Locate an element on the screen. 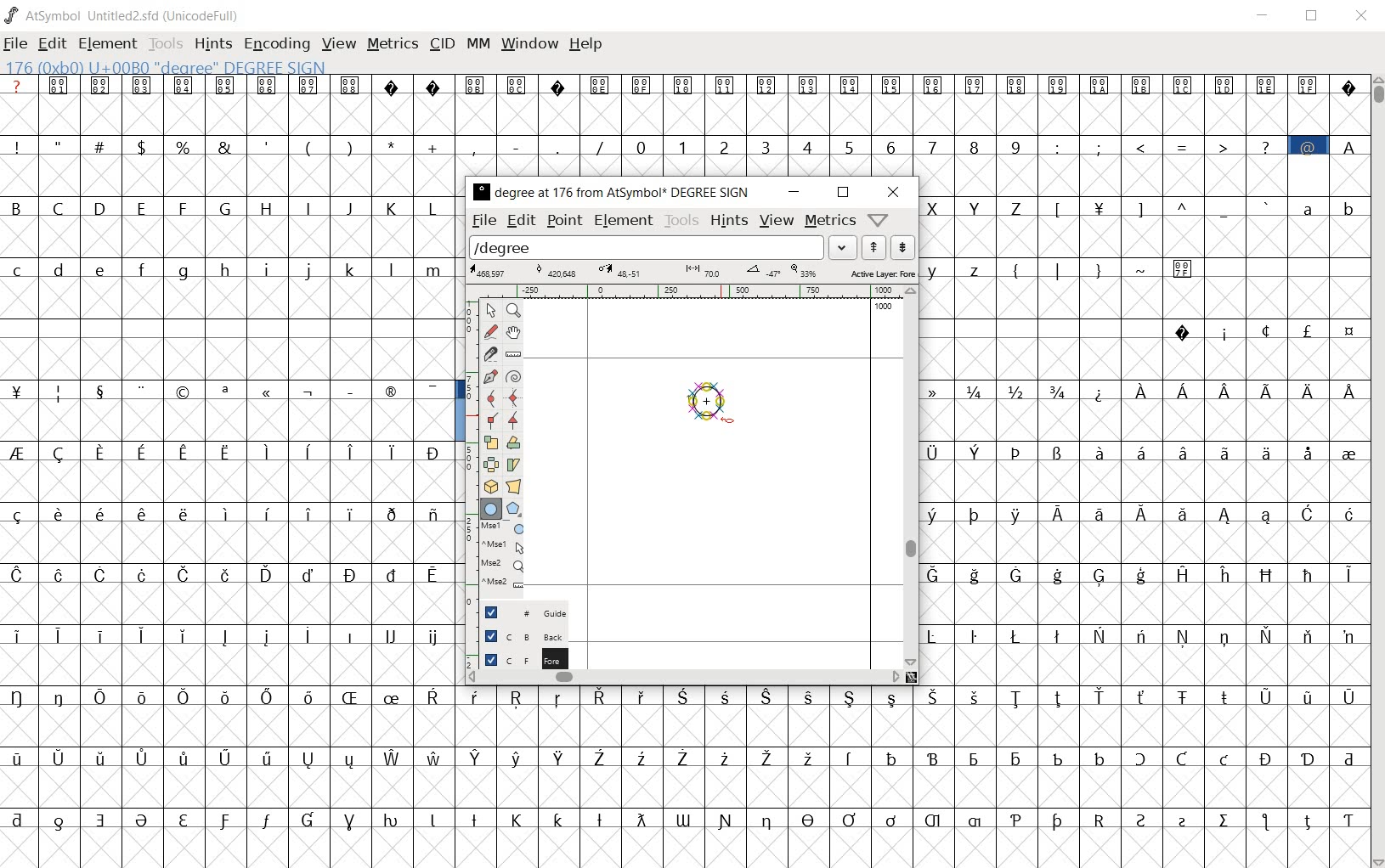 The image size is (1385, 868). special characters is located at coordinates (1164, 207).